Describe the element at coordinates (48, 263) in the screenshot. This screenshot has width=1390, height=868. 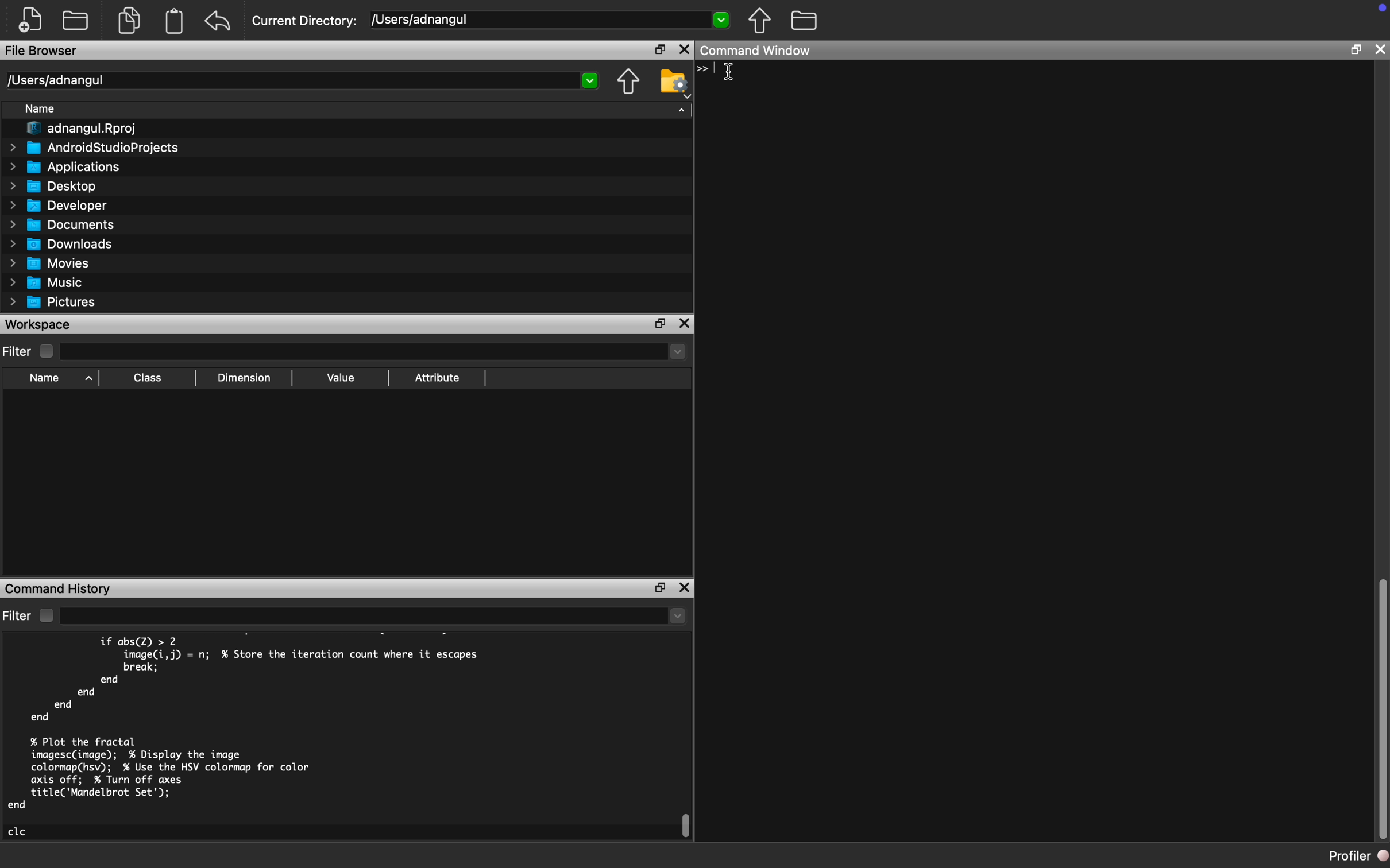
I see `Movies` at that location.